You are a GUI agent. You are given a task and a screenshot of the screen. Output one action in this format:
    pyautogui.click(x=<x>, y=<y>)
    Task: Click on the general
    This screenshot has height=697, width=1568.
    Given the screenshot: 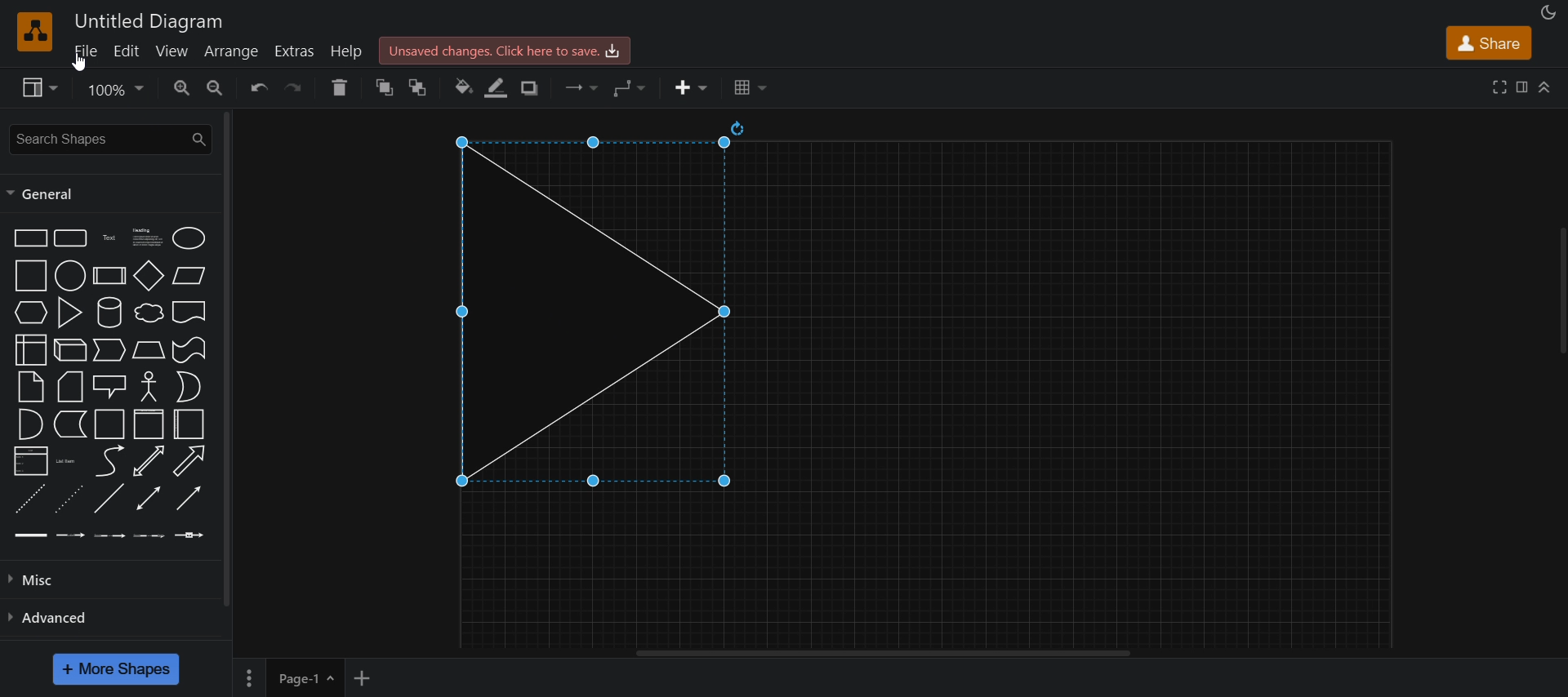 What is the action you would take?
    pyautogui.click(x=46, y=193)
    